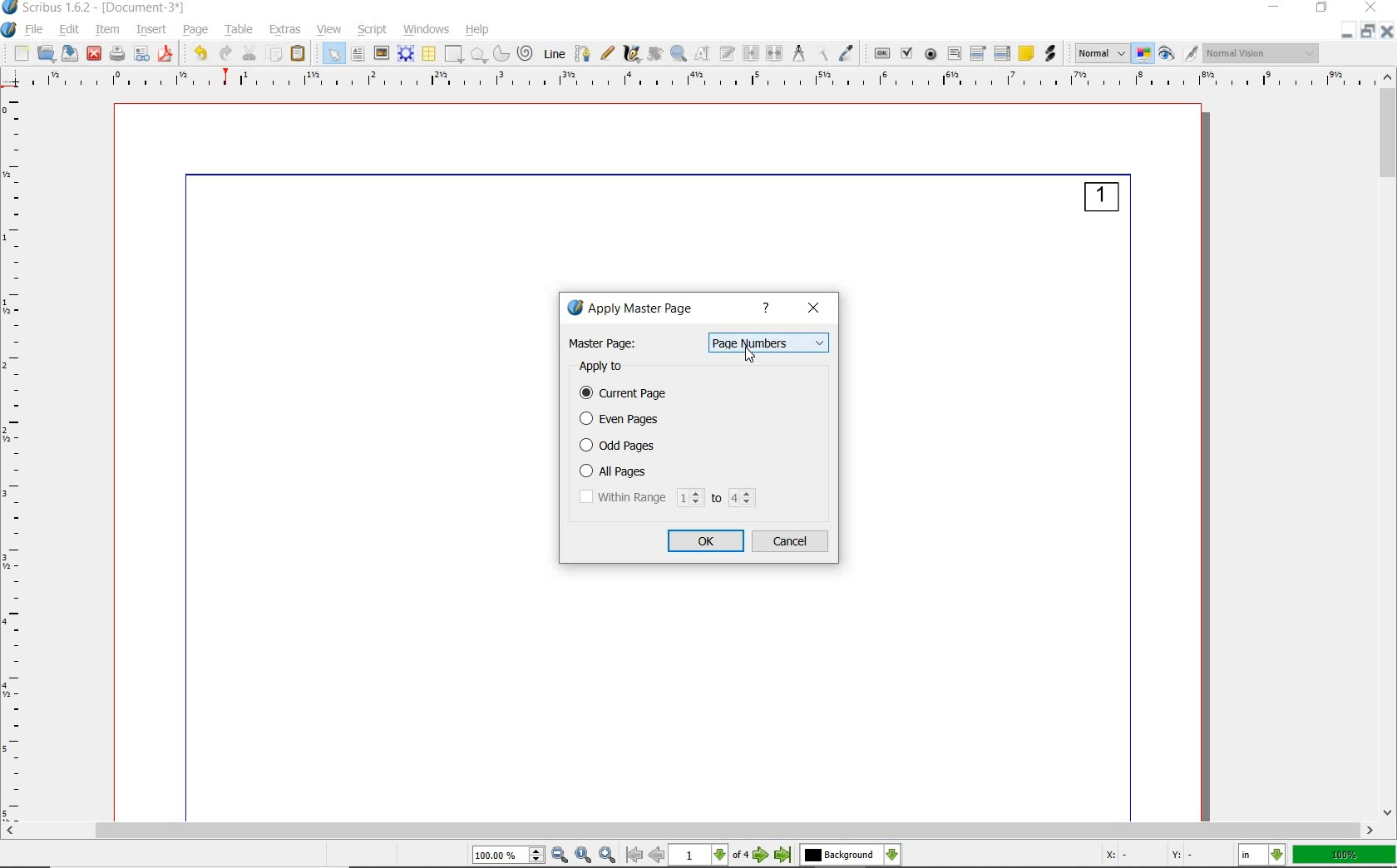  What do you see at coordinates (239, 29) in the screenshot?
I see `table` at bounding box center [239, 29].